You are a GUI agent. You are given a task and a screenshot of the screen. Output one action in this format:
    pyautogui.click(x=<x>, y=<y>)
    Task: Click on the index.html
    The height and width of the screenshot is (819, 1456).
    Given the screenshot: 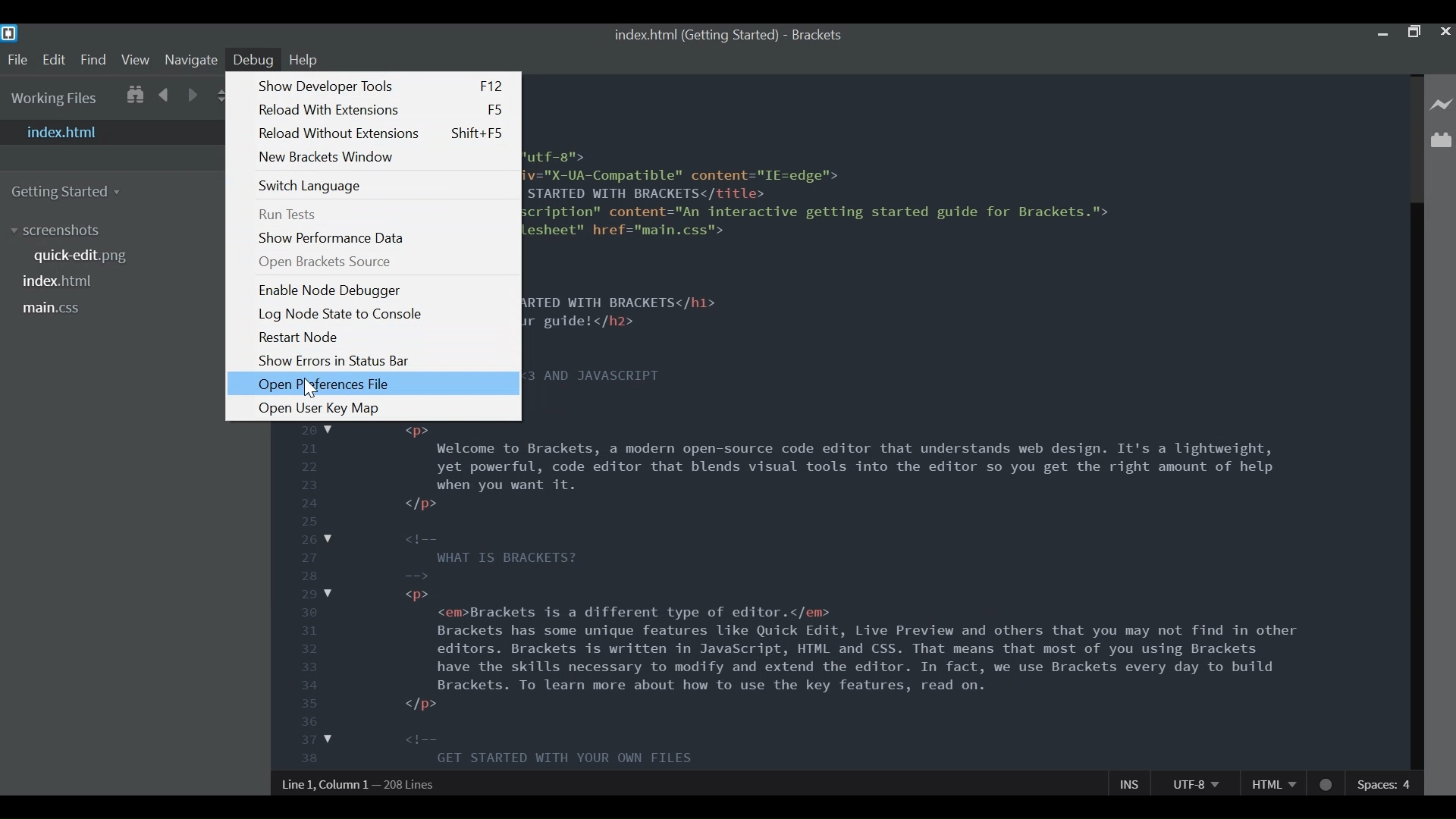 What is the action you would take?
    pyautogui.click(x=56, y=281)
    